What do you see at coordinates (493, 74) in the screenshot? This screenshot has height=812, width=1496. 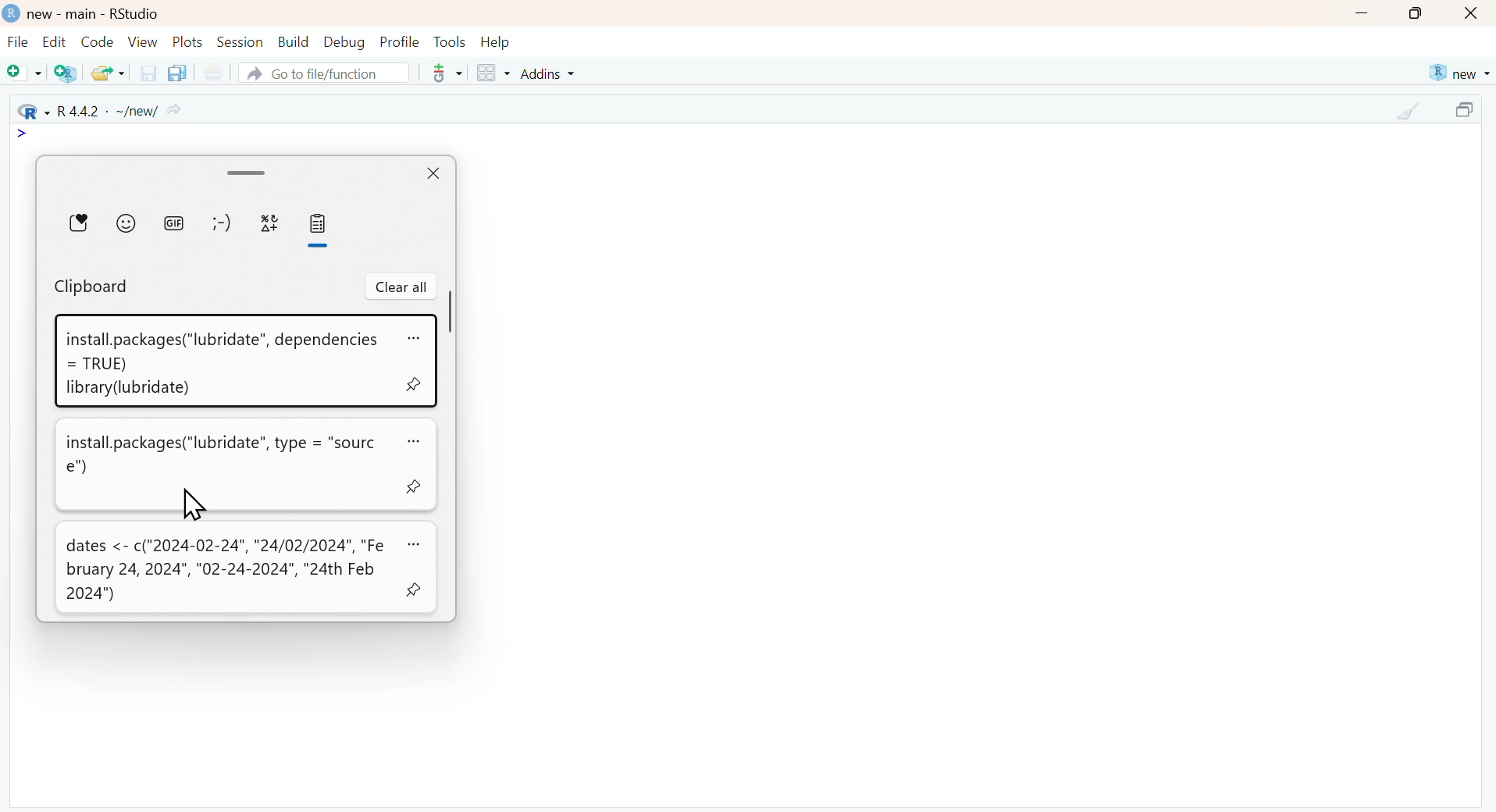 I see `Workspace panes` at bounding box center [493, 74].